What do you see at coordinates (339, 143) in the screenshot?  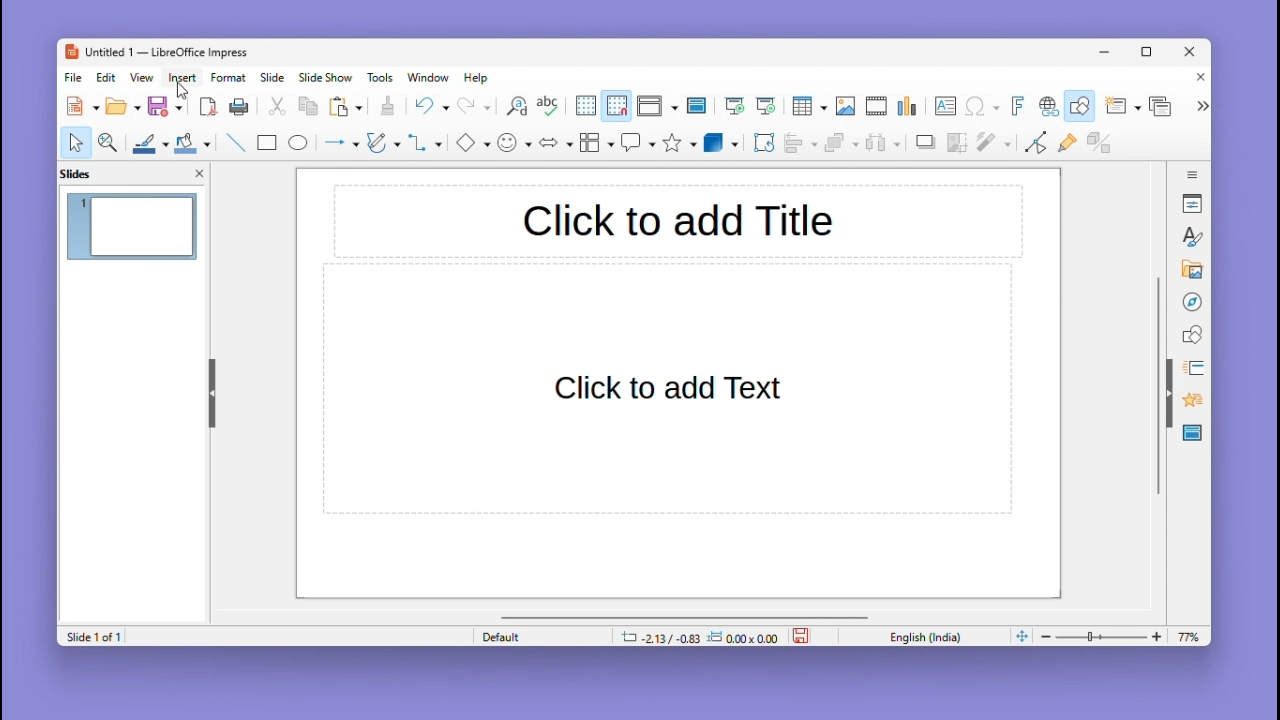 I see `Arrow` at bounding box center [339, 143].